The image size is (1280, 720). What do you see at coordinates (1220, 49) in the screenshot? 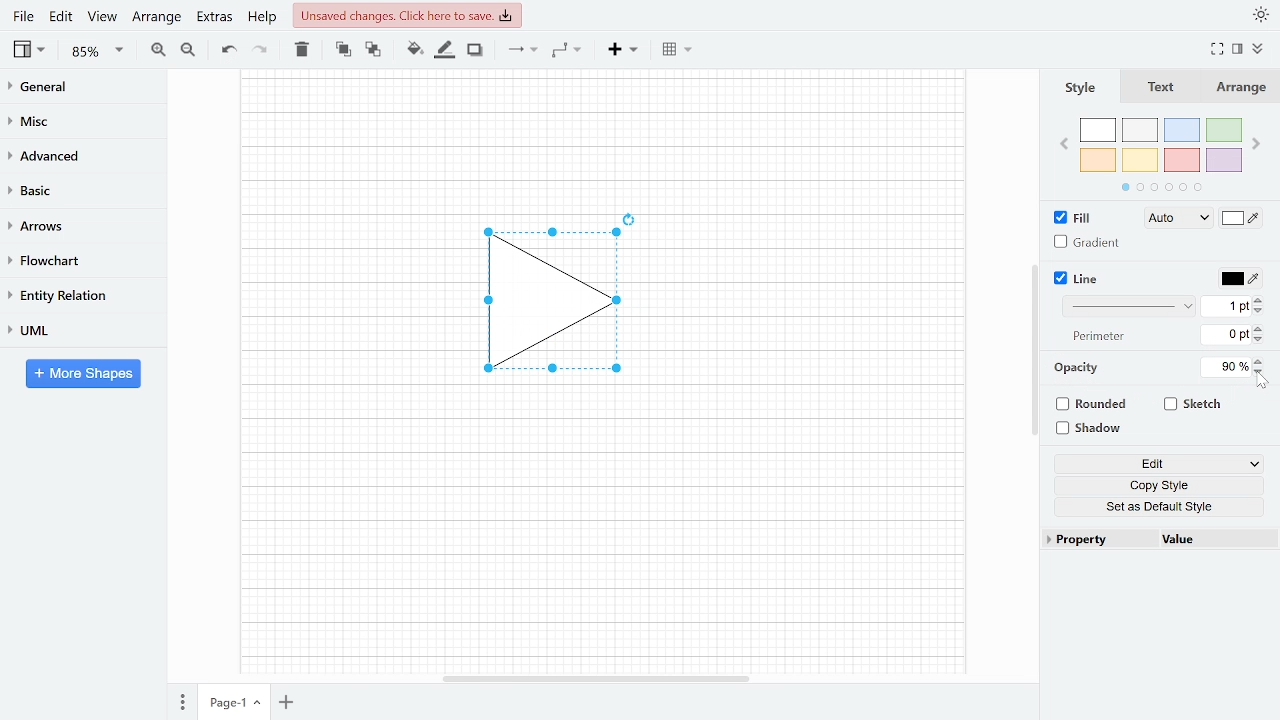
I see `Fullscreen` at bounding box center [1220, 49].